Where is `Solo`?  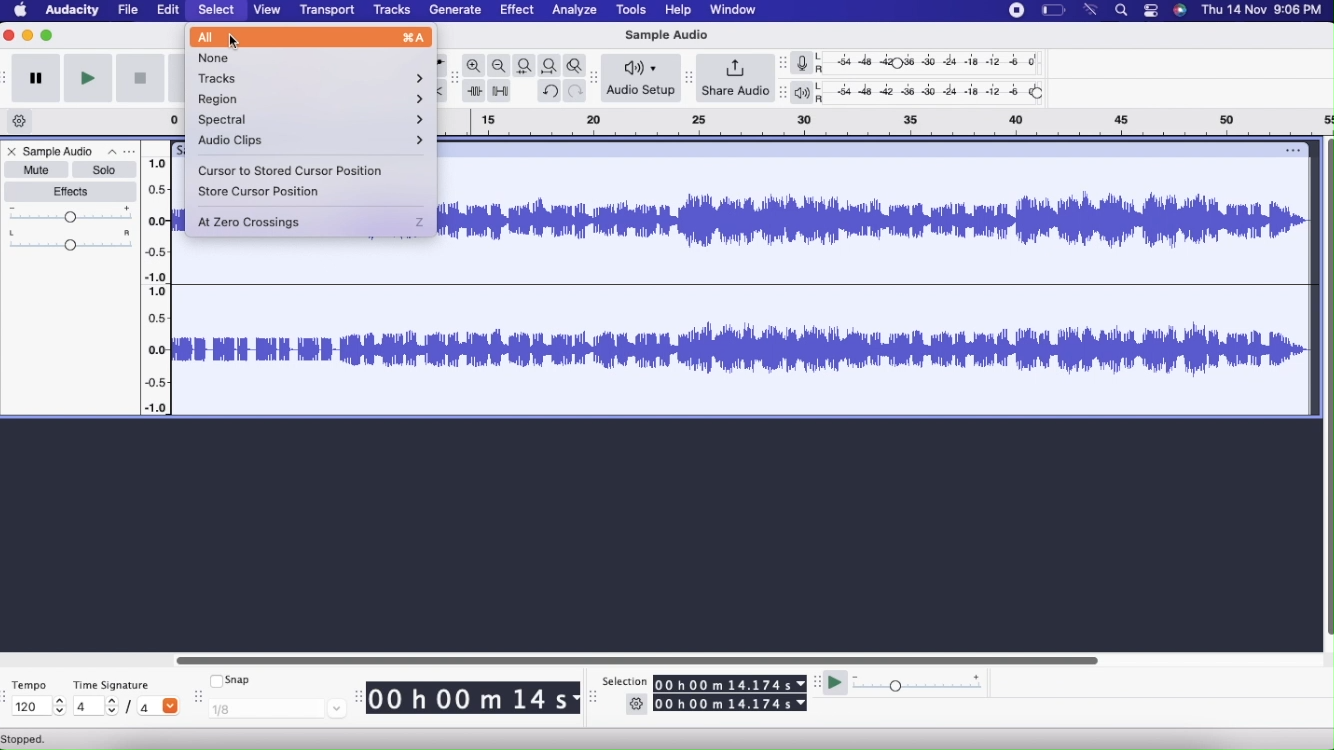 Solo is located at coordinates (105, 171).